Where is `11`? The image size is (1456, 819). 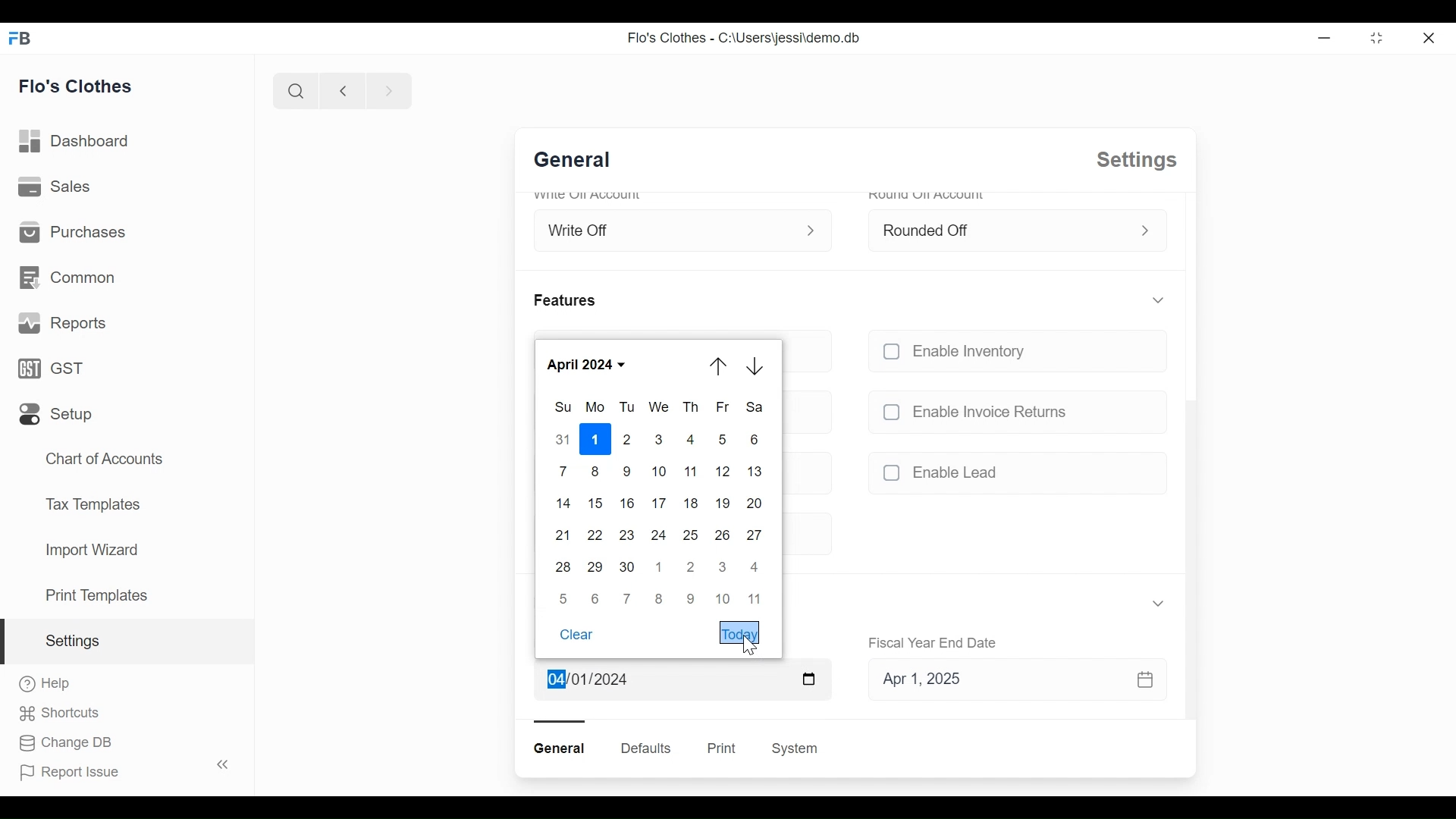 11 is located at coordinates (754, 598).